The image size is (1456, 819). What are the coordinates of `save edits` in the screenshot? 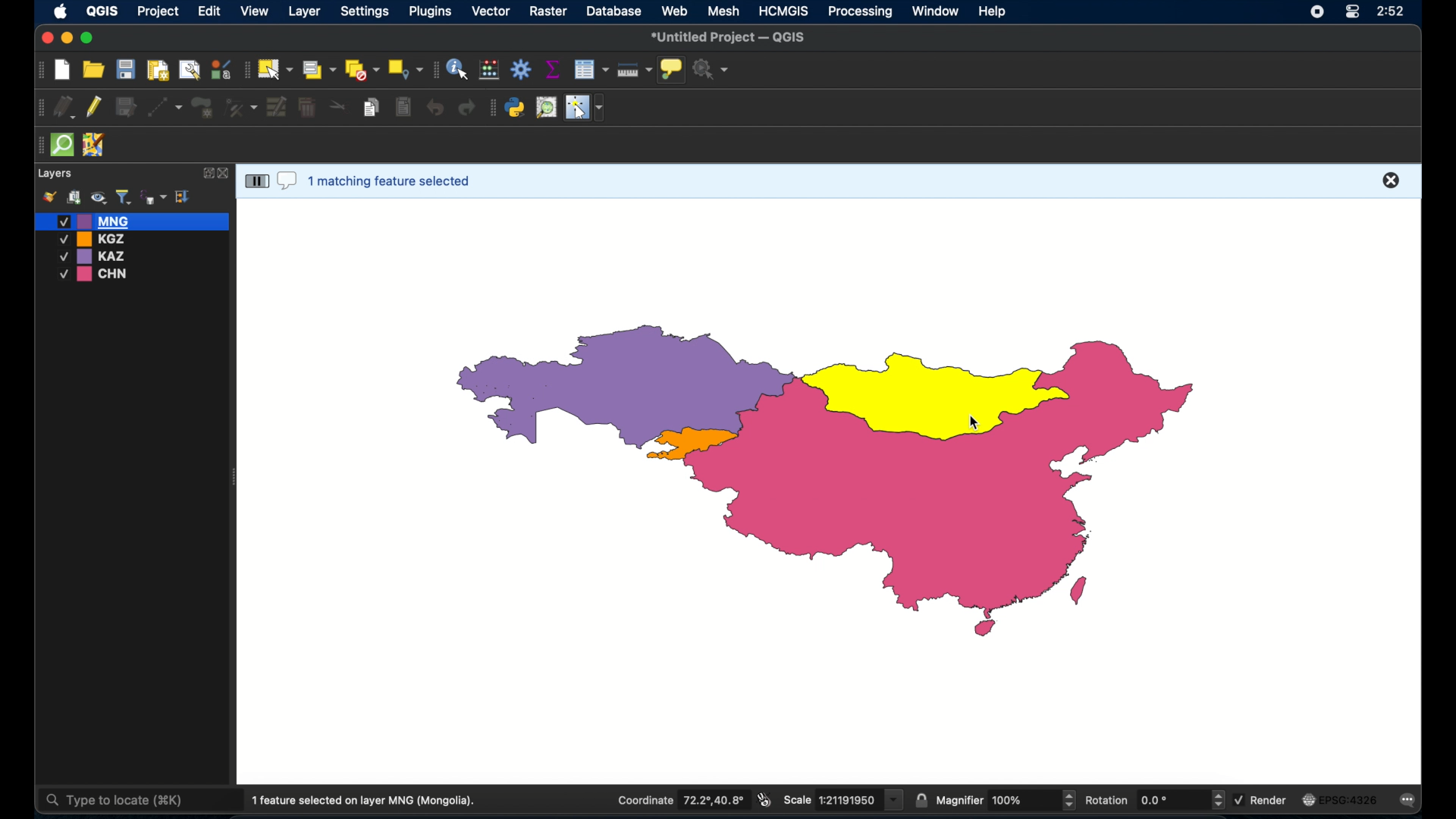 It's located at (128, 108).